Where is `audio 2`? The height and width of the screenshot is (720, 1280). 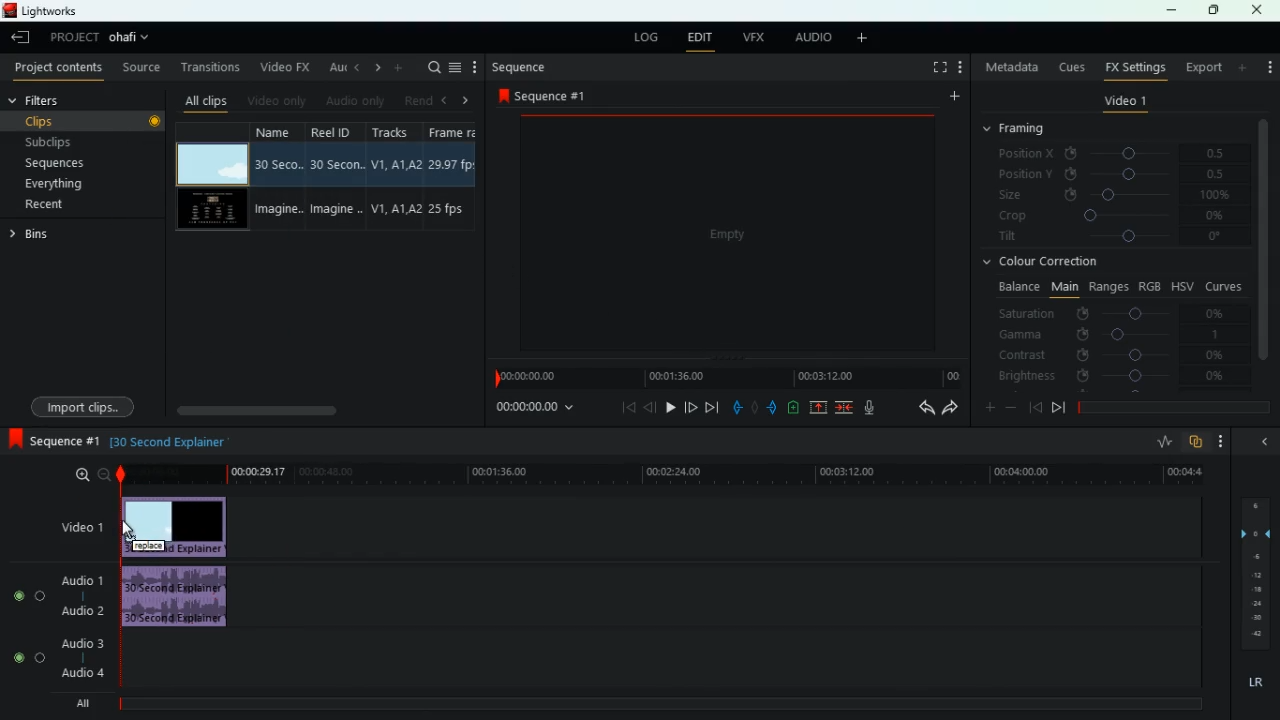 audio 2 is located at coordinates (80, 611).